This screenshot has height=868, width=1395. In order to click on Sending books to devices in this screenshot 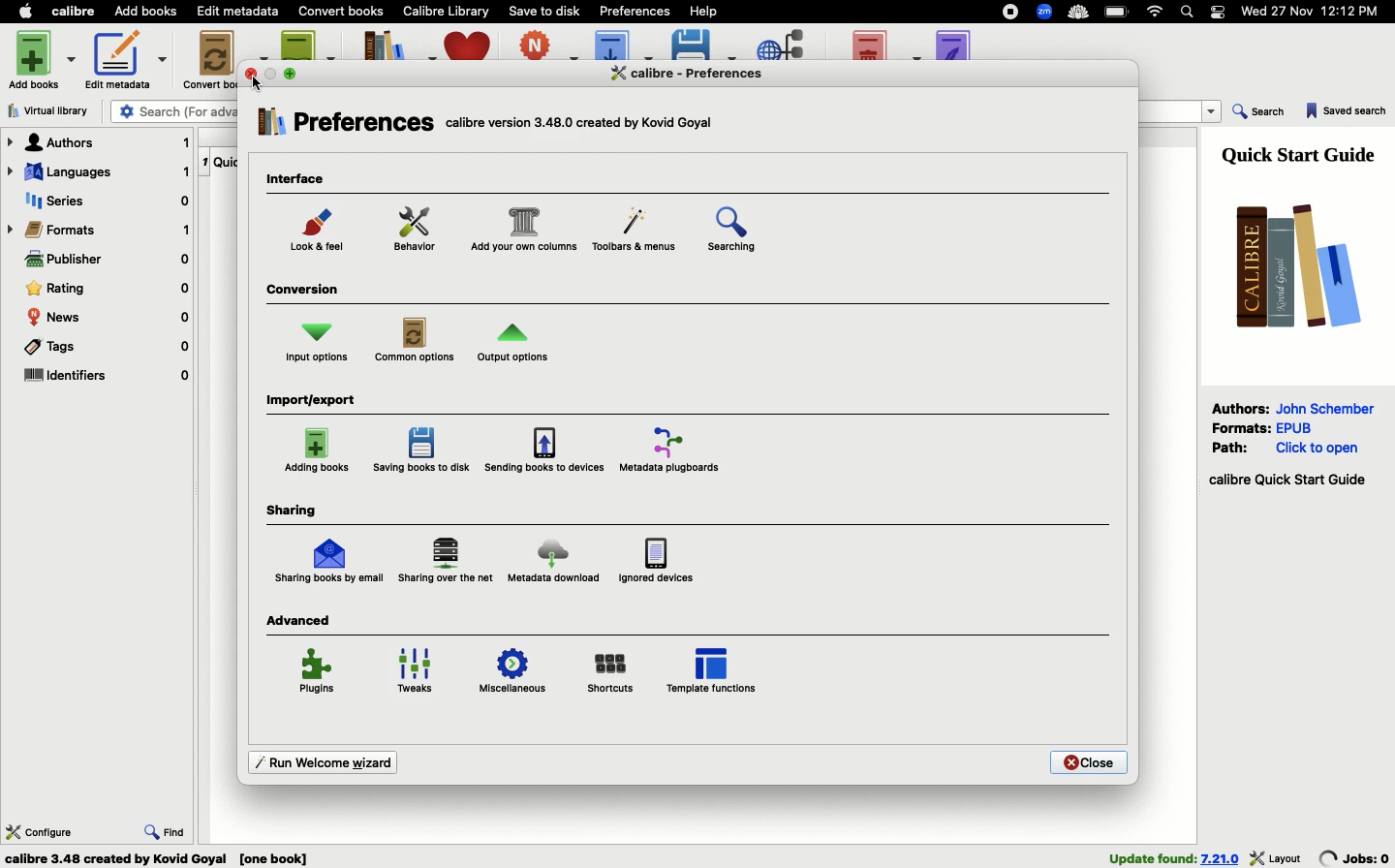, I will do `click(543, 449)`.